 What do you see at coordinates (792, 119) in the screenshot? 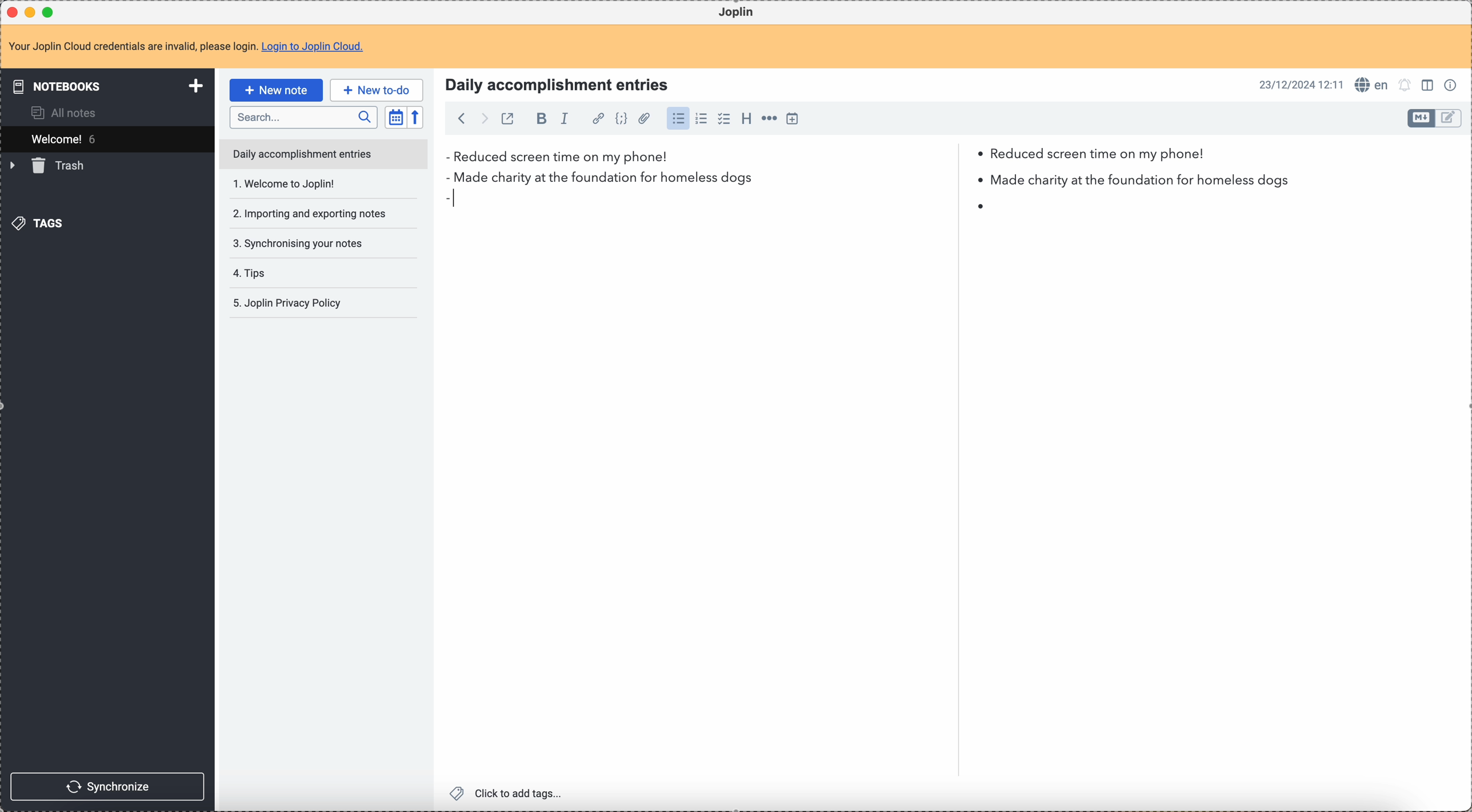
I see `insert time` at bounding box center [792, 119].